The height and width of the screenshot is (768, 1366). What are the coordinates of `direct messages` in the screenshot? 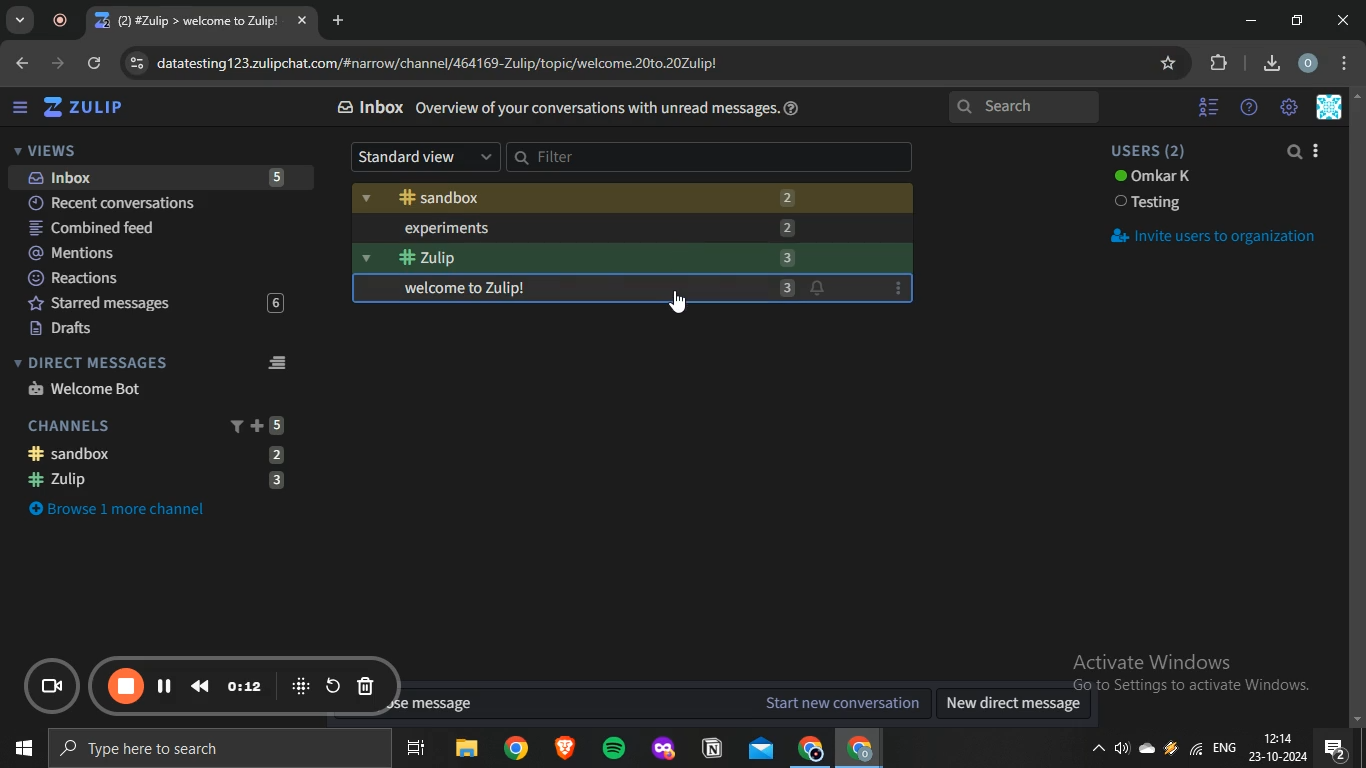 It's located at (155, 362).